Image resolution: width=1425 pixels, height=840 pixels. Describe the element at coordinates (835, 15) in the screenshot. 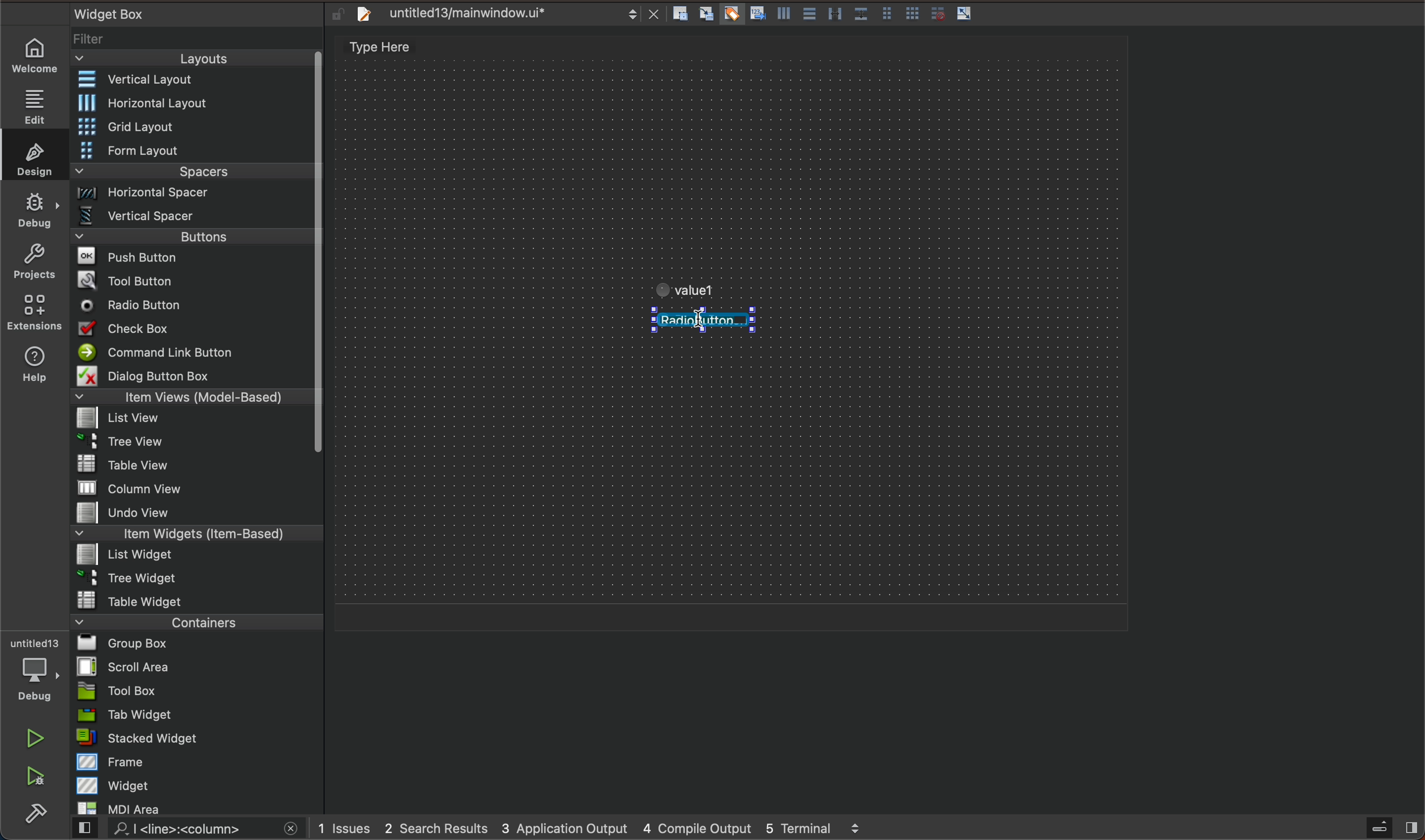

I see `` at that location.